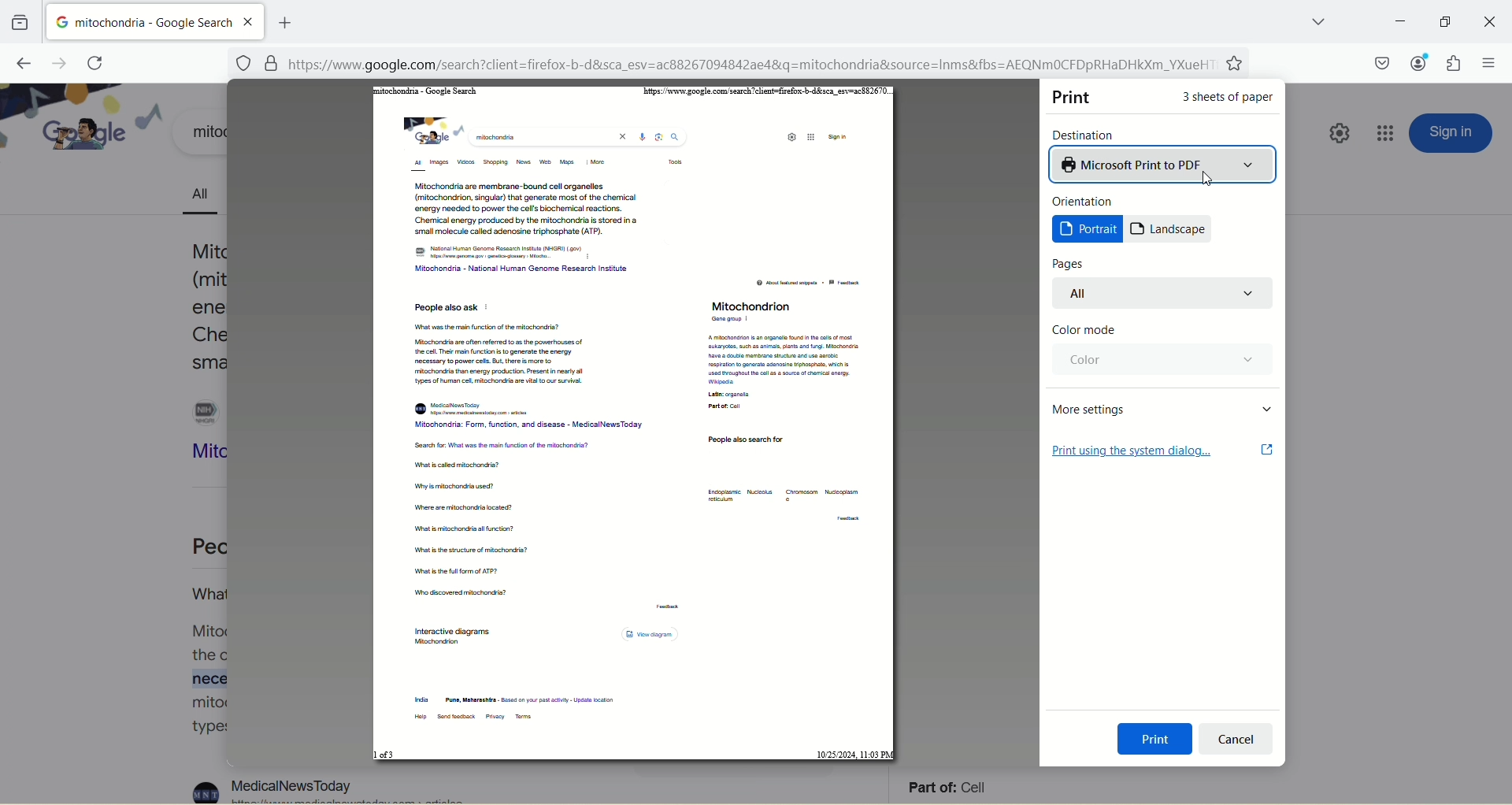 The image size is (1512, 805). Describe the element at coordinates (1206, 179) in the screenshot. I see `cursor` at that location.